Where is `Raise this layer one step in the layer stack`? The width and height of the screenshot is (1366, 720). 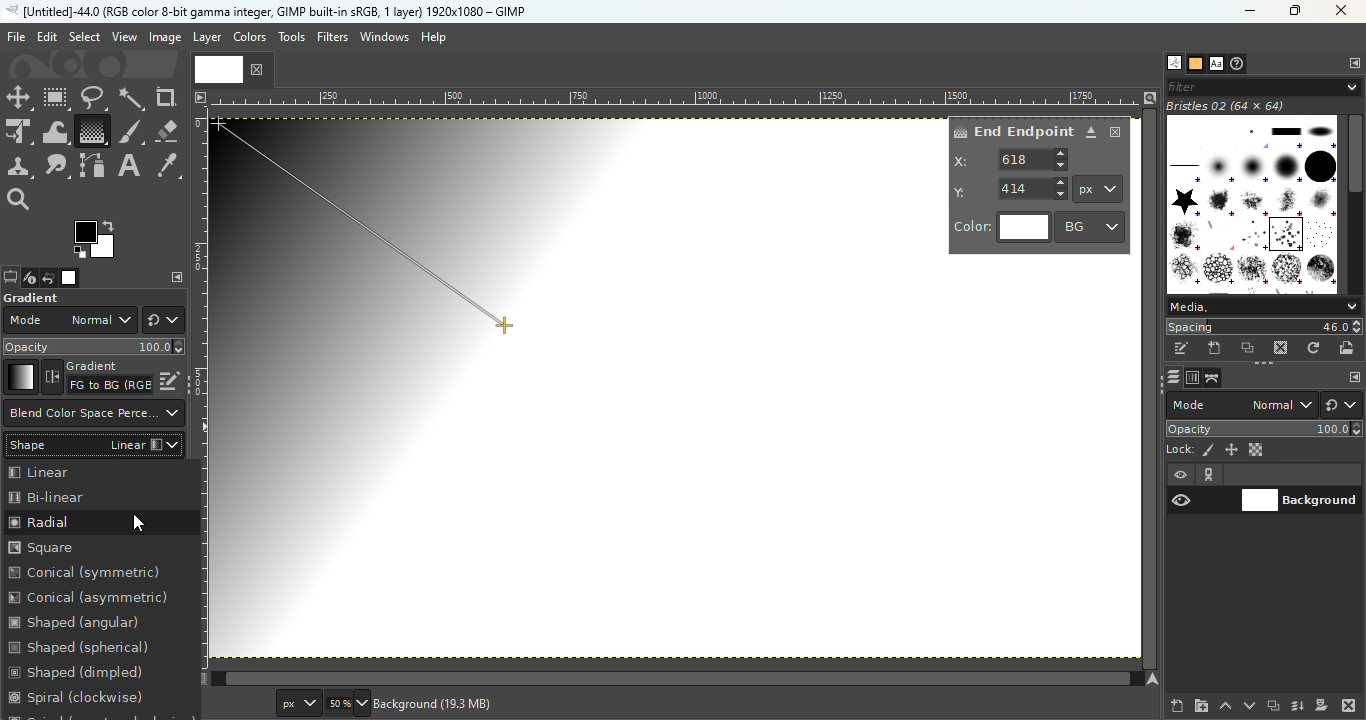
Raise this layer one step in the layer stack is located at coordinates (1226, 706).